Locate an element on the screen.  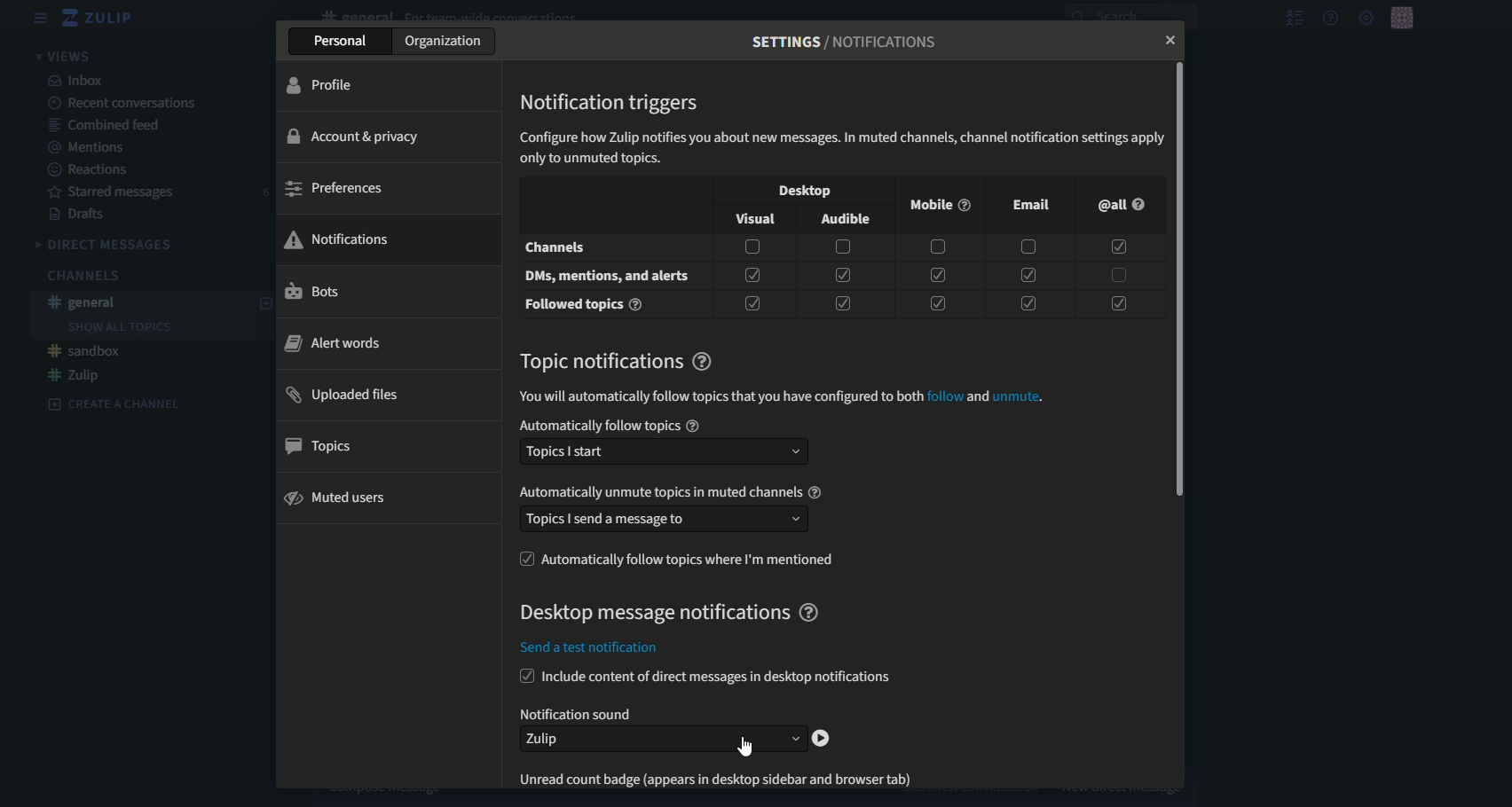
text is located at coordinates (608, 278).